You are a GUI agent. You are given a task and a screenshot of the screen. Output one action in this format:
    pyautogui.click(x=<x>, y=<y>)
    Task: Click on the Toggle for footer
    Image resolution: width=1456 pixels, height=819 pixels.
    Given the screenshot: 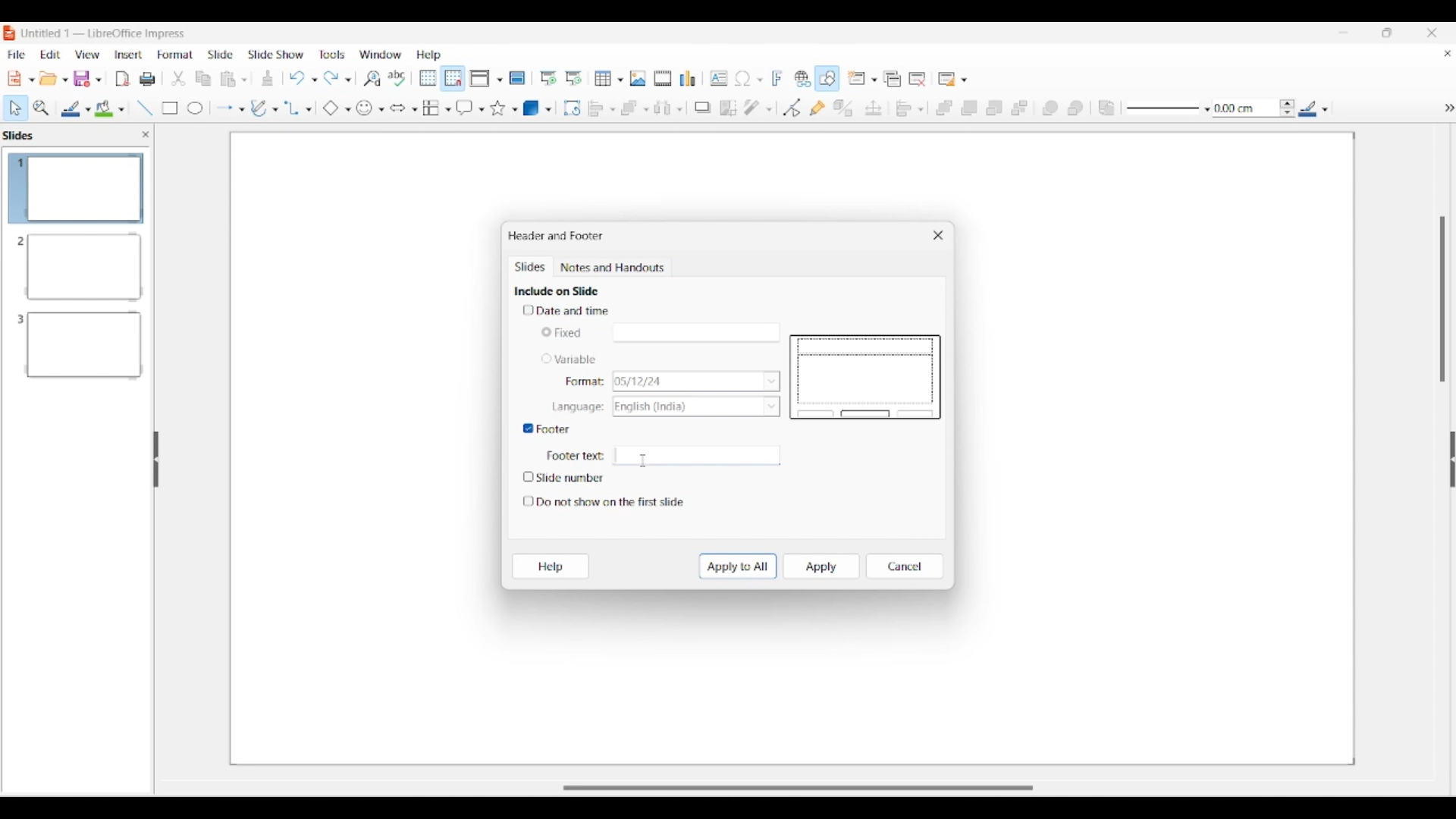 What is the action you would take?
    pyautogui.click(x=547, y=429)
    